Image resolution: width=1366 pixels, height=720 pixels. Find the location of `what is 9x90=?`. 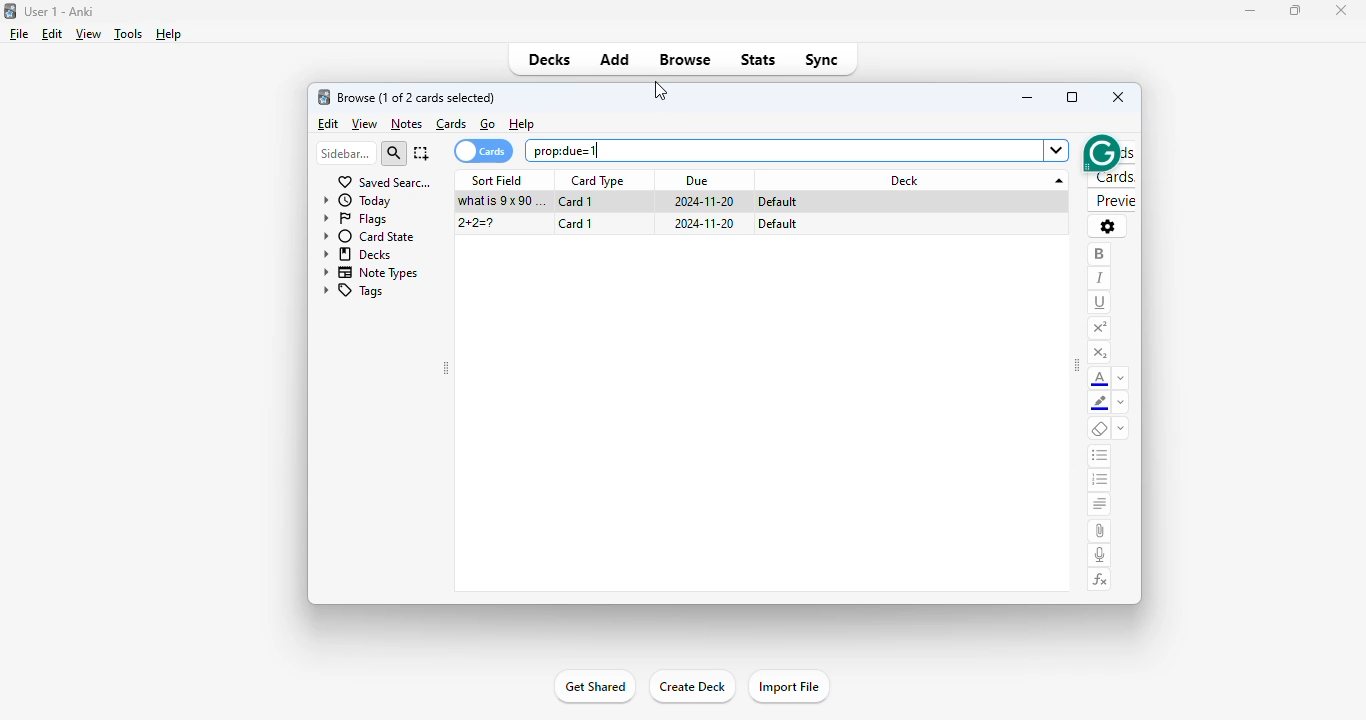

what is 9x90=? is located at coordinates (505, 201).